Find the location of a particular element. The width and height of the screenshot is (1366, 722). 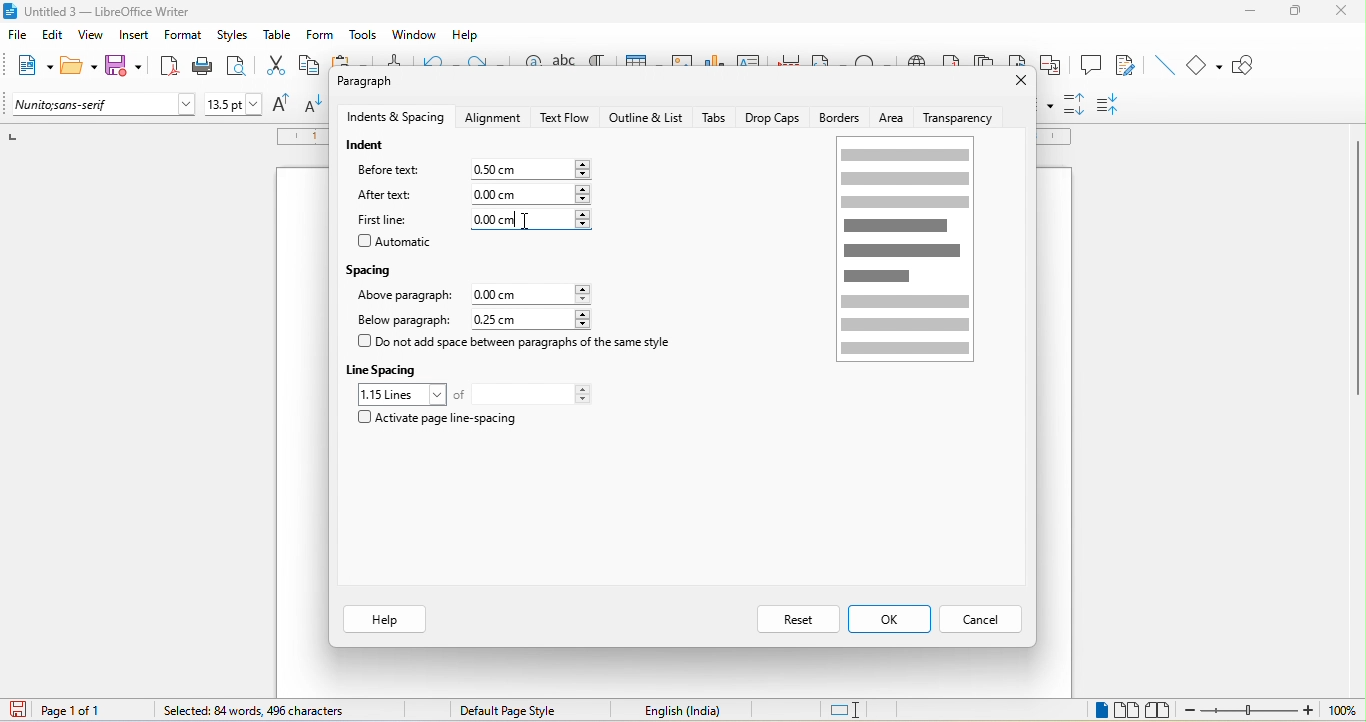

after text is located at coordinates (384, 194).